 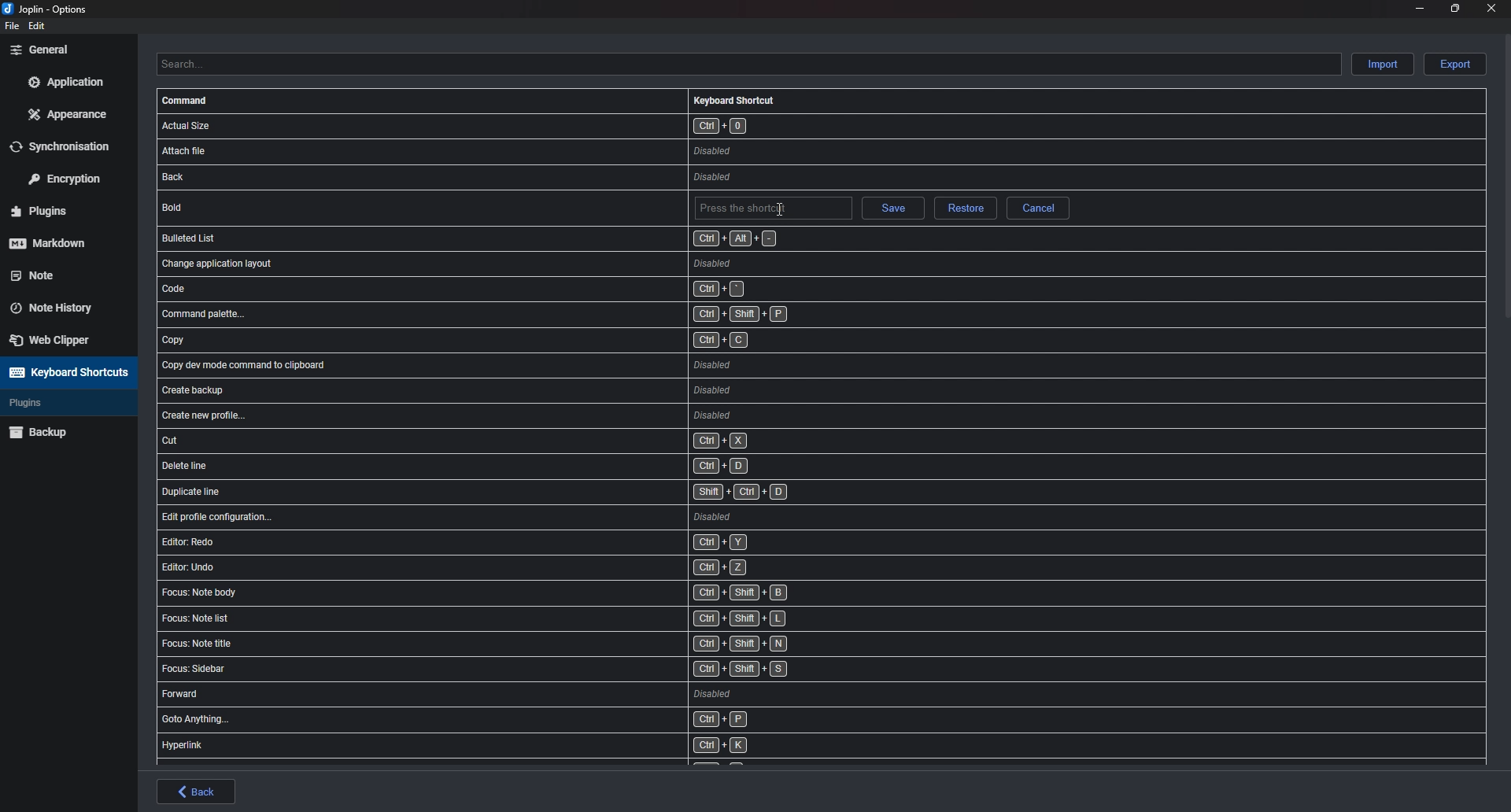 I want to click on shortcut, so click(x=520, y=567).